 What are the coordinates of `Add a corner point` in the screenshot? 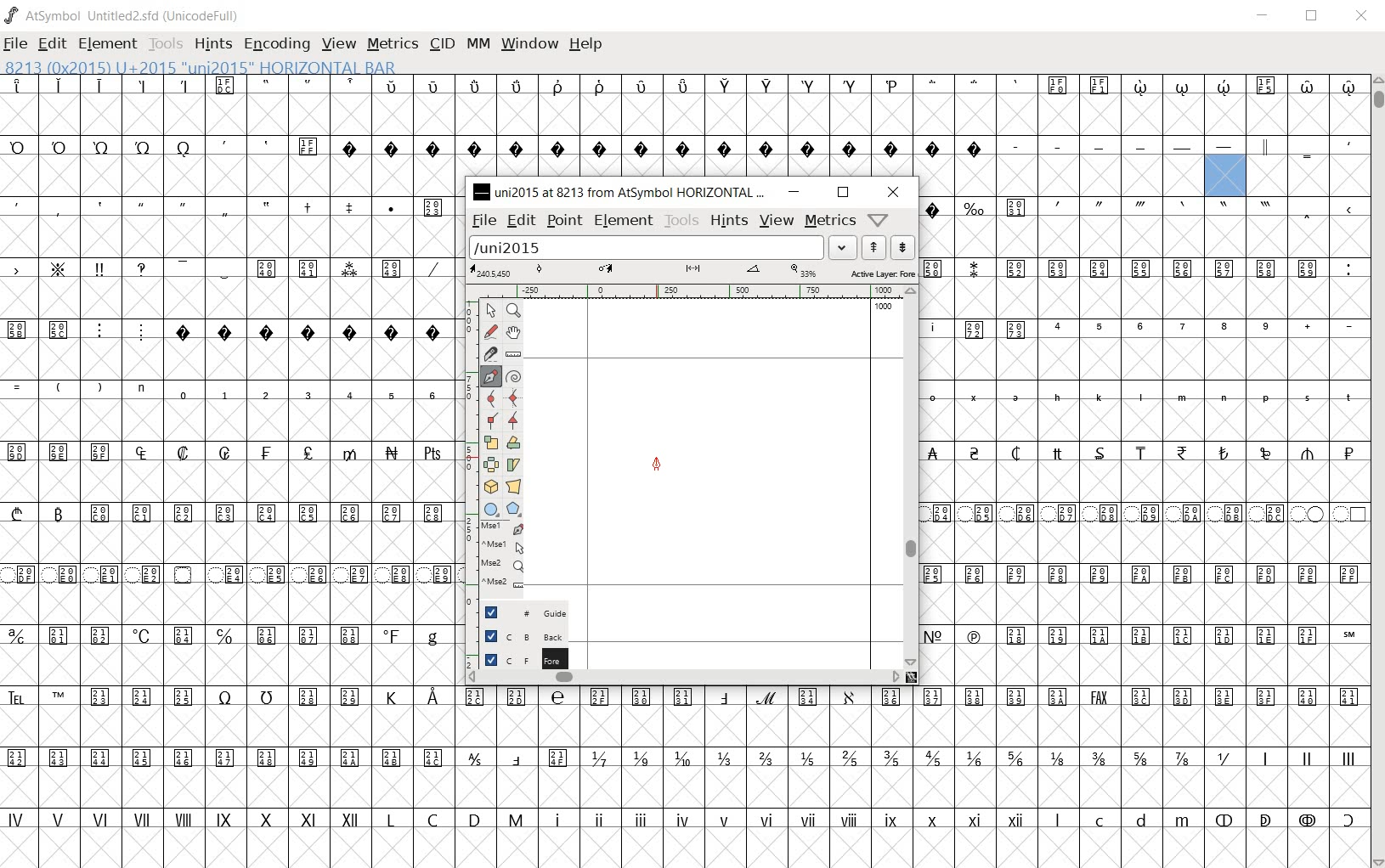 It's located at (512, 420).